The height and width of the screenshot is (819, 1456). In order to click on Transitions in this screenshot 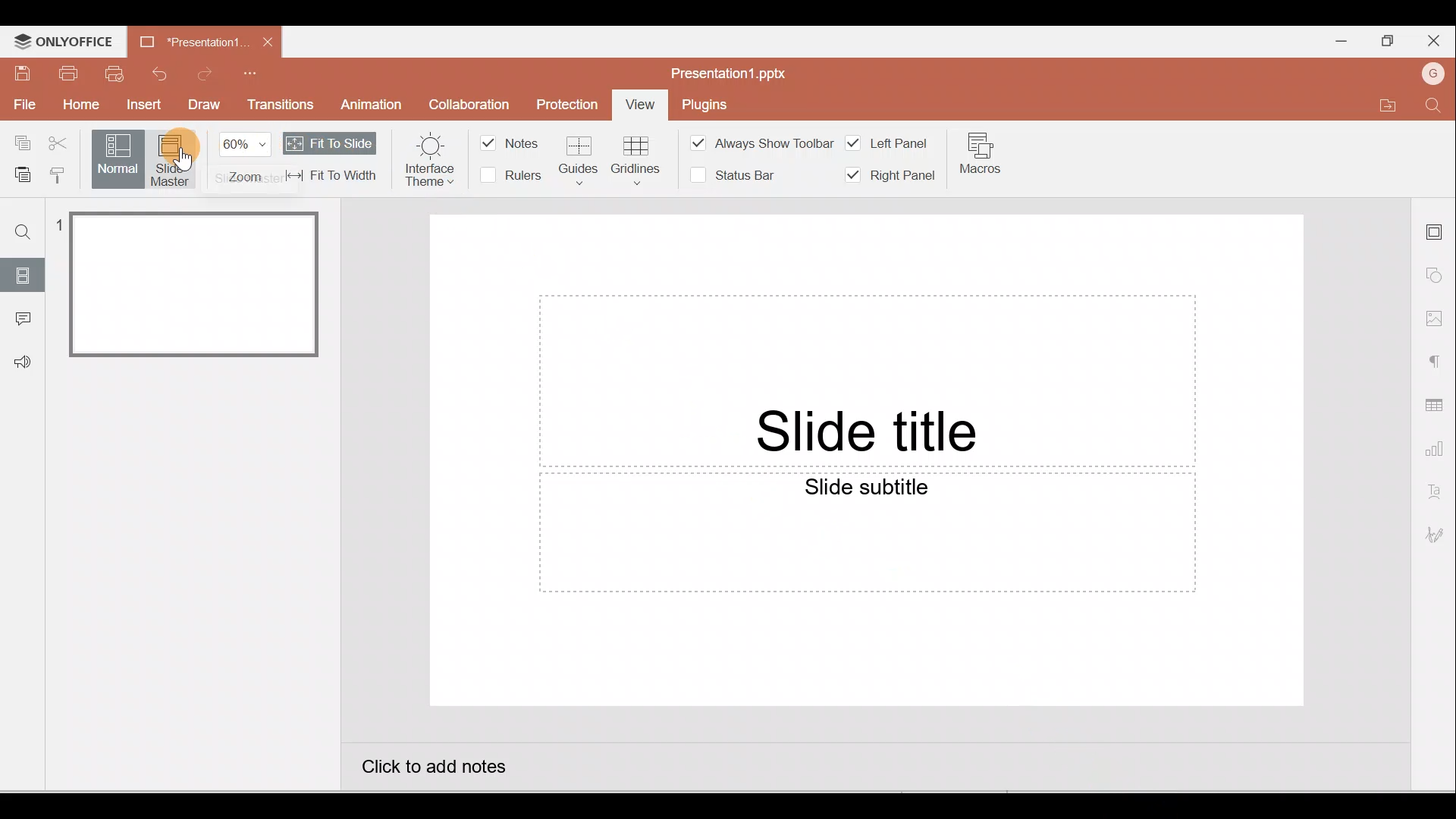, I will do `click(281, 105)`.